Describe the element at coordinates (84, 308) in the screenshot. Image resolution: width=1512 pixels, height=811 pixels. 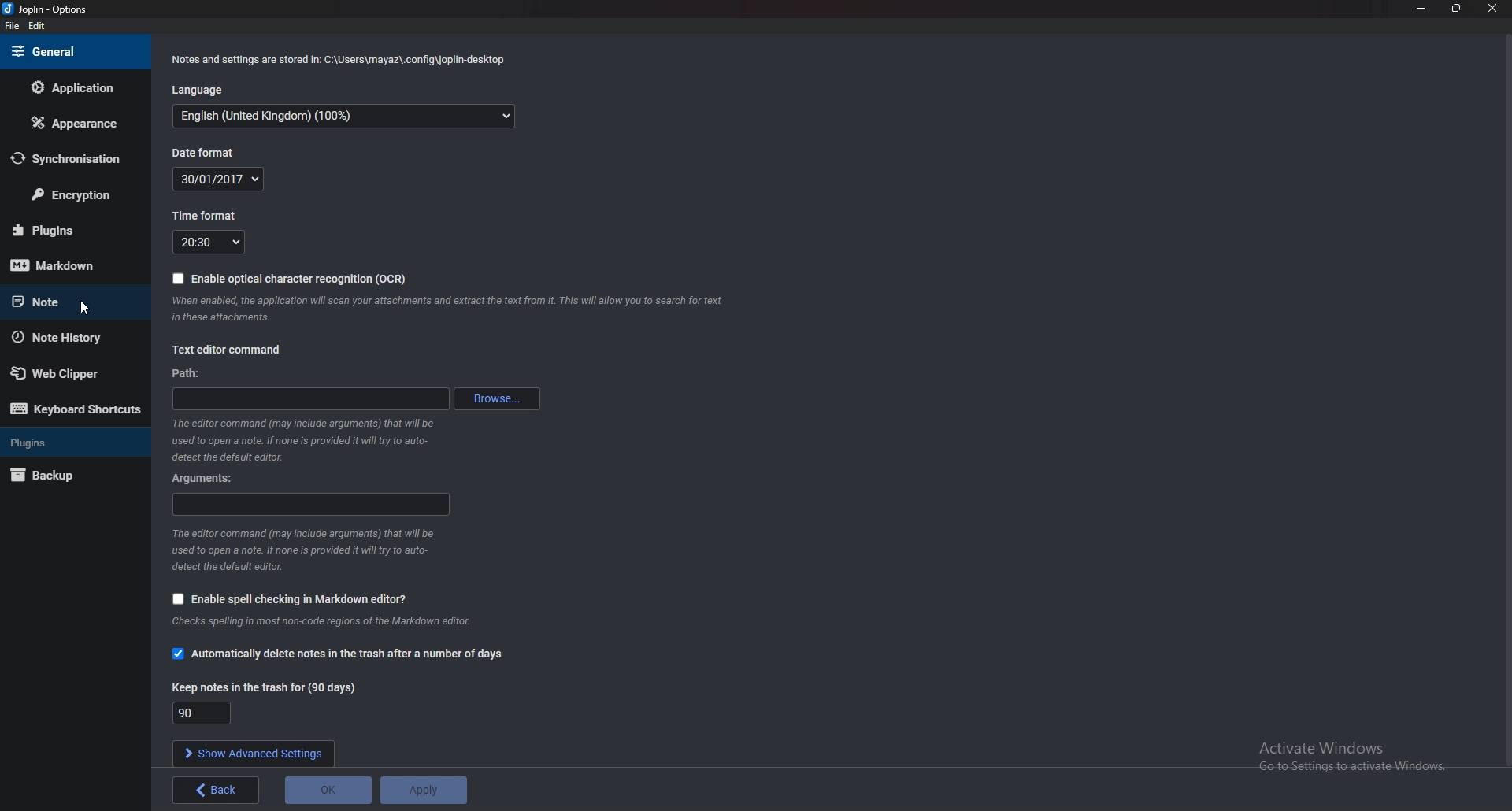
I see `Cursor` at that location.